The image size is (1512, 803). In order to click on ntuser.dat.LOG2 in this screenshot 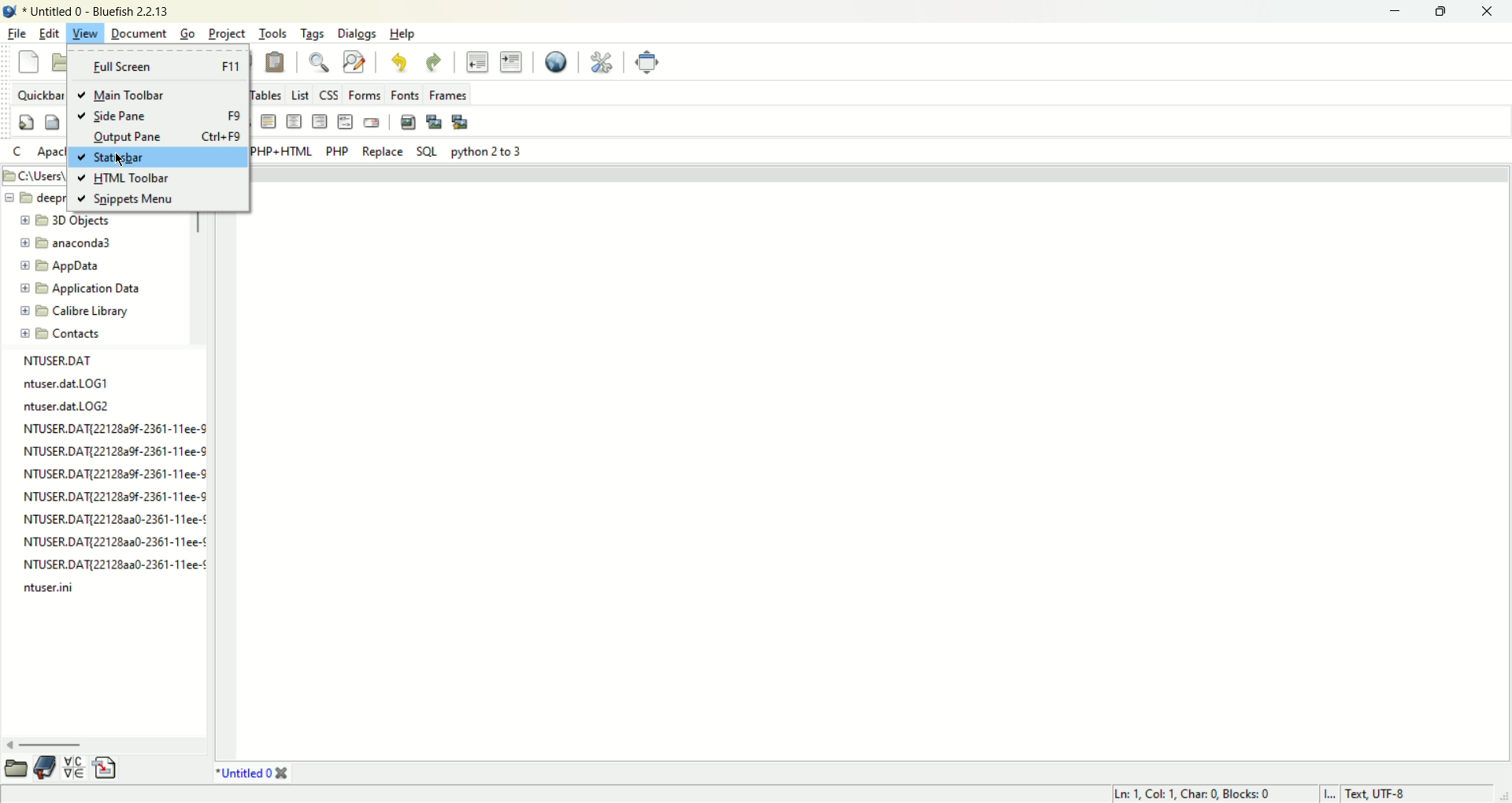, I will do `click(67, 406)`.